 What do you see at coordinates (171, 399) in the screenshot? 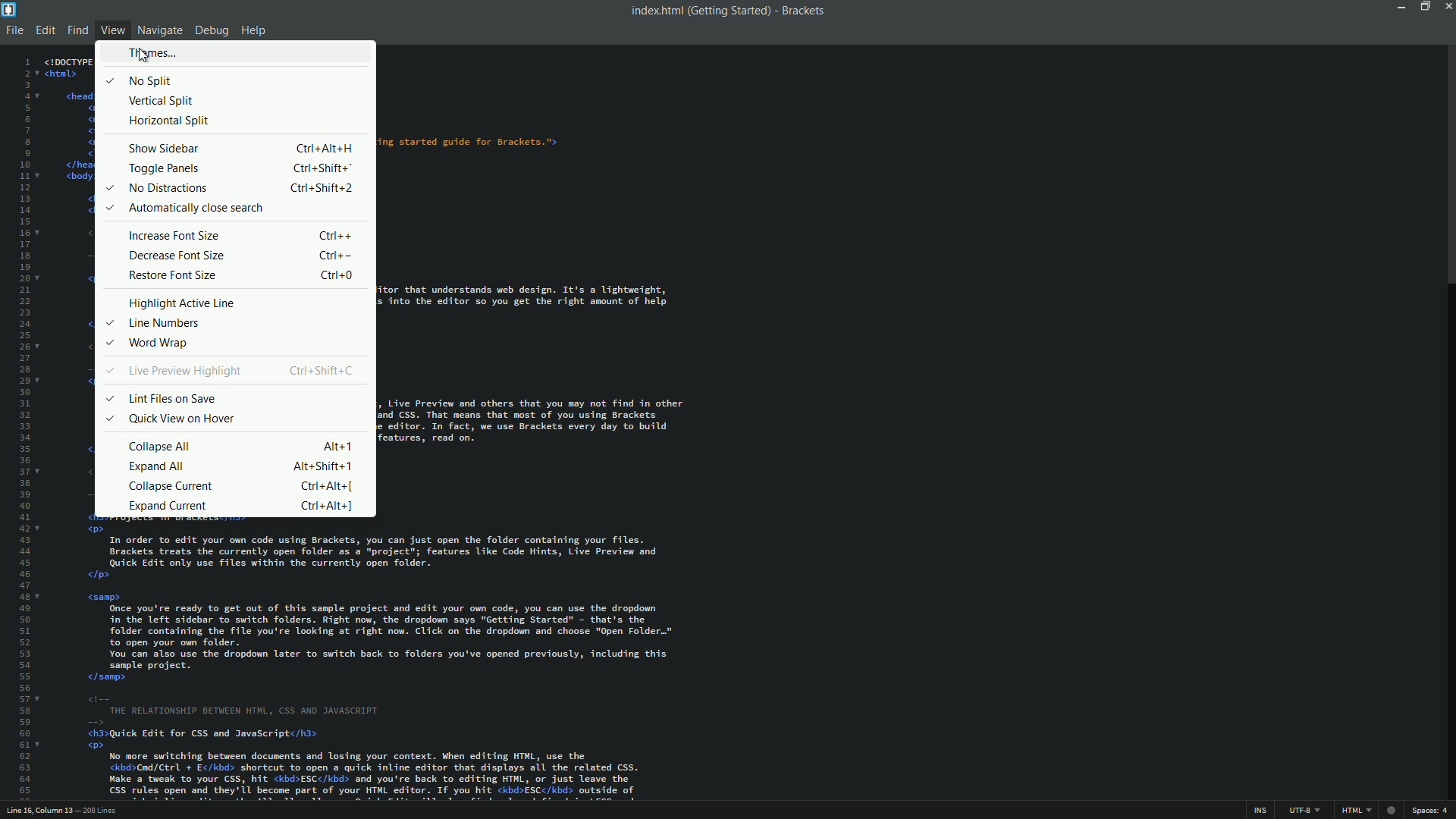
I see `lint files on save` at bounding box center [171, 399].